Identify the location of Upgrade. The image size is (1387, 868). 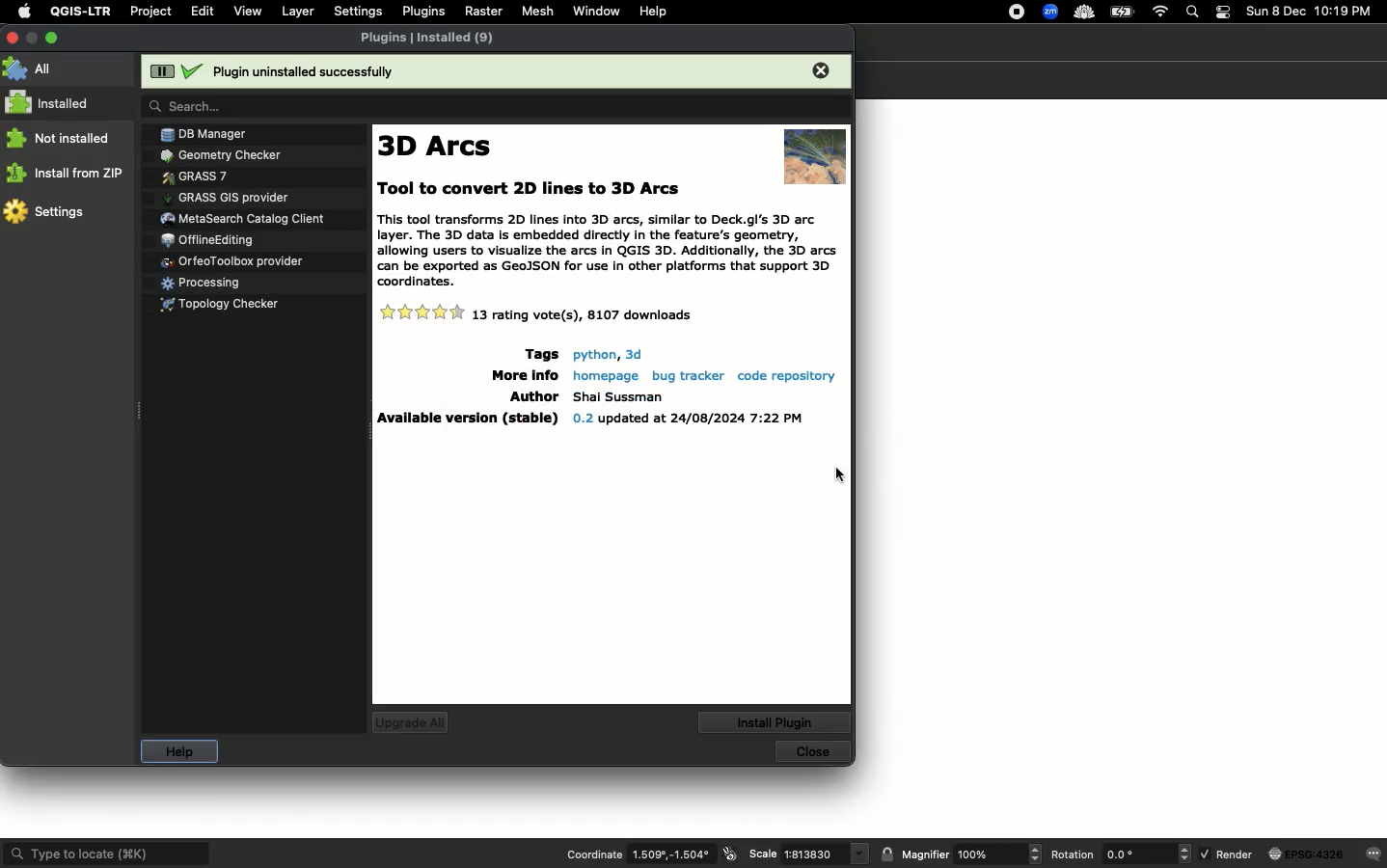
(410, 723).